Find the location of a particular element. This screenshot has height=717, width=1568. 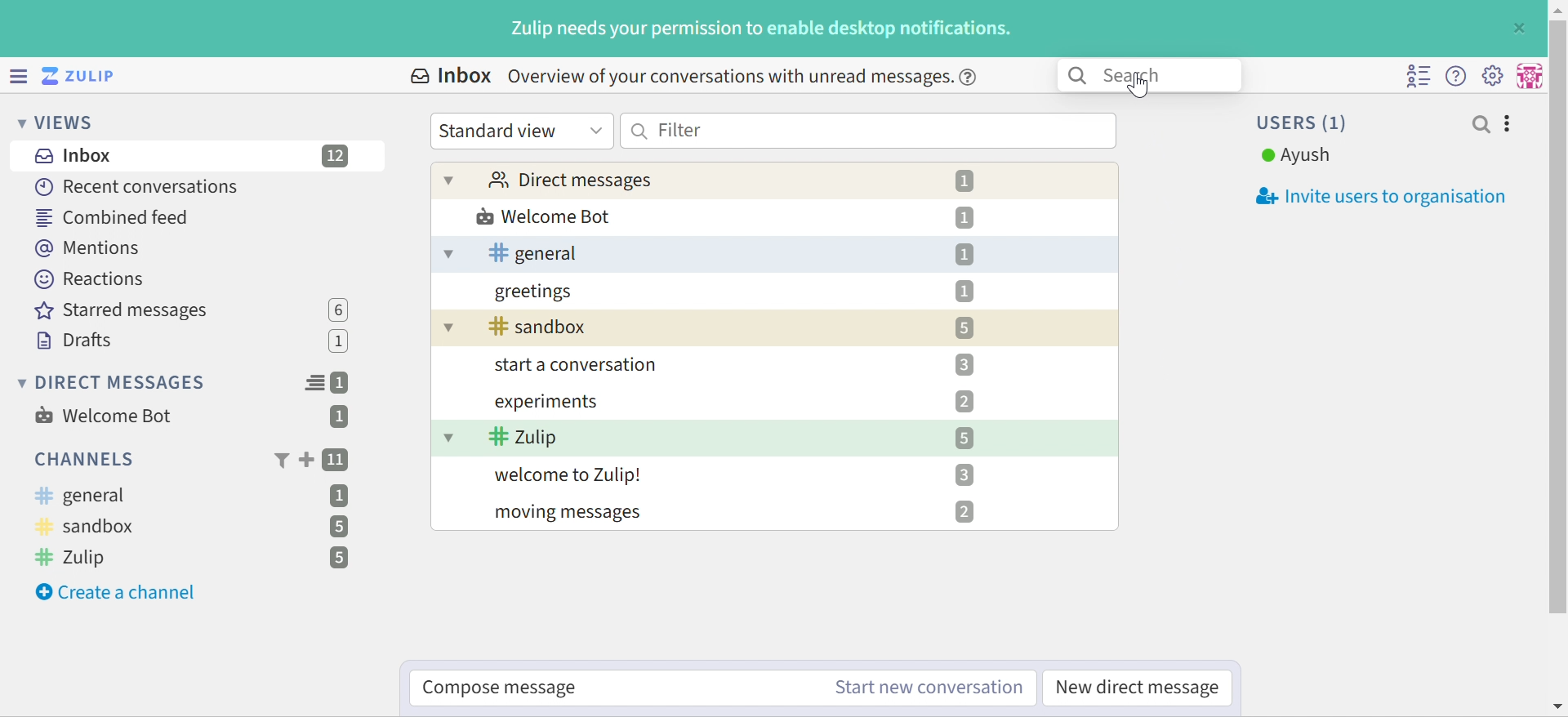

5 is located at coordinates (337, 527).